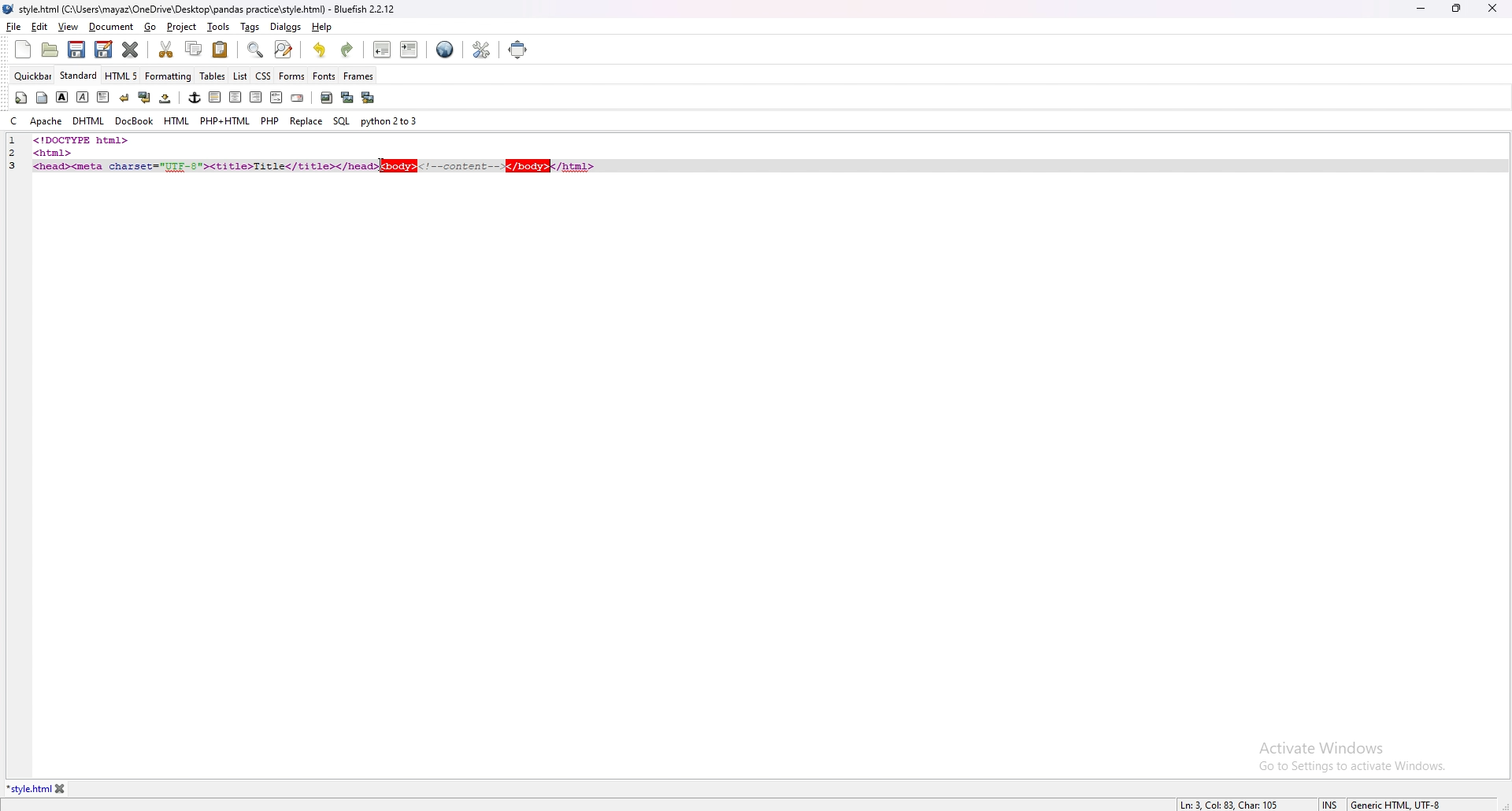 The height and width of the screenshot is (811, 1512). I want to click on help, so click(321, 27).